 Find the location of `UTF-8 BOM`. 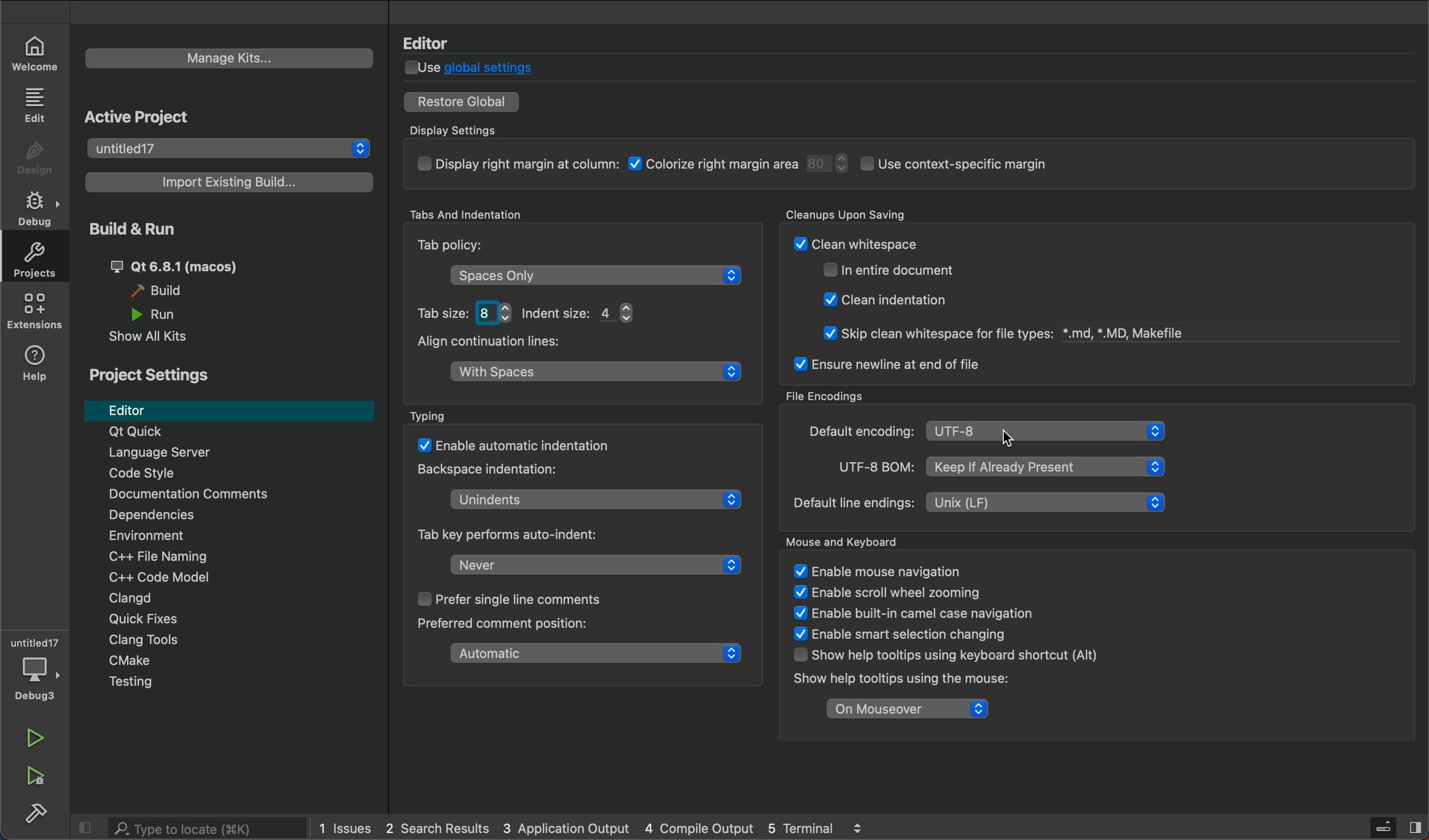

UTF-8 BOM is located at coordinates (1003, 466).